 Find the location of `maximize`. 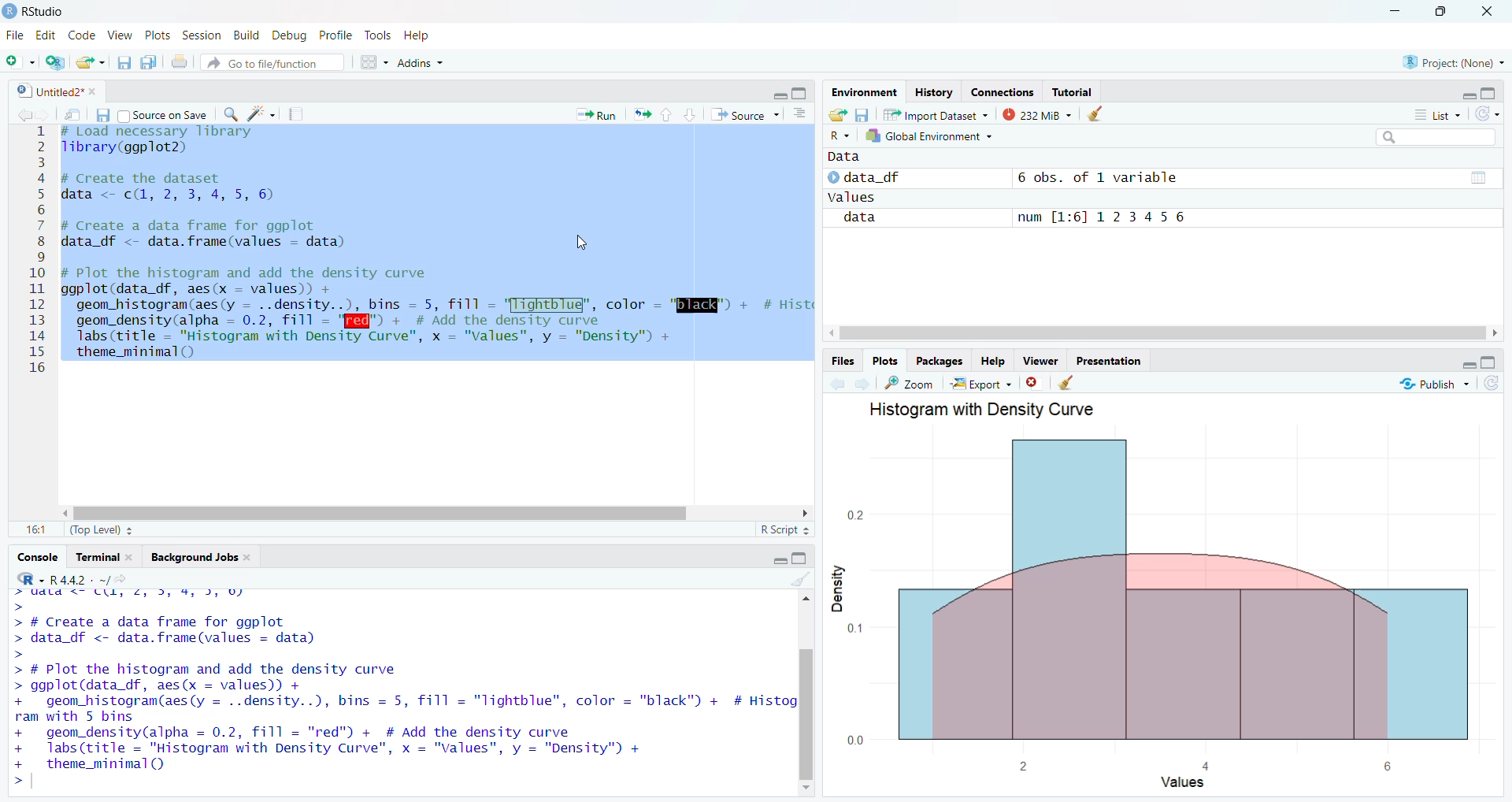

maximize is located at coordinates (799, 555).